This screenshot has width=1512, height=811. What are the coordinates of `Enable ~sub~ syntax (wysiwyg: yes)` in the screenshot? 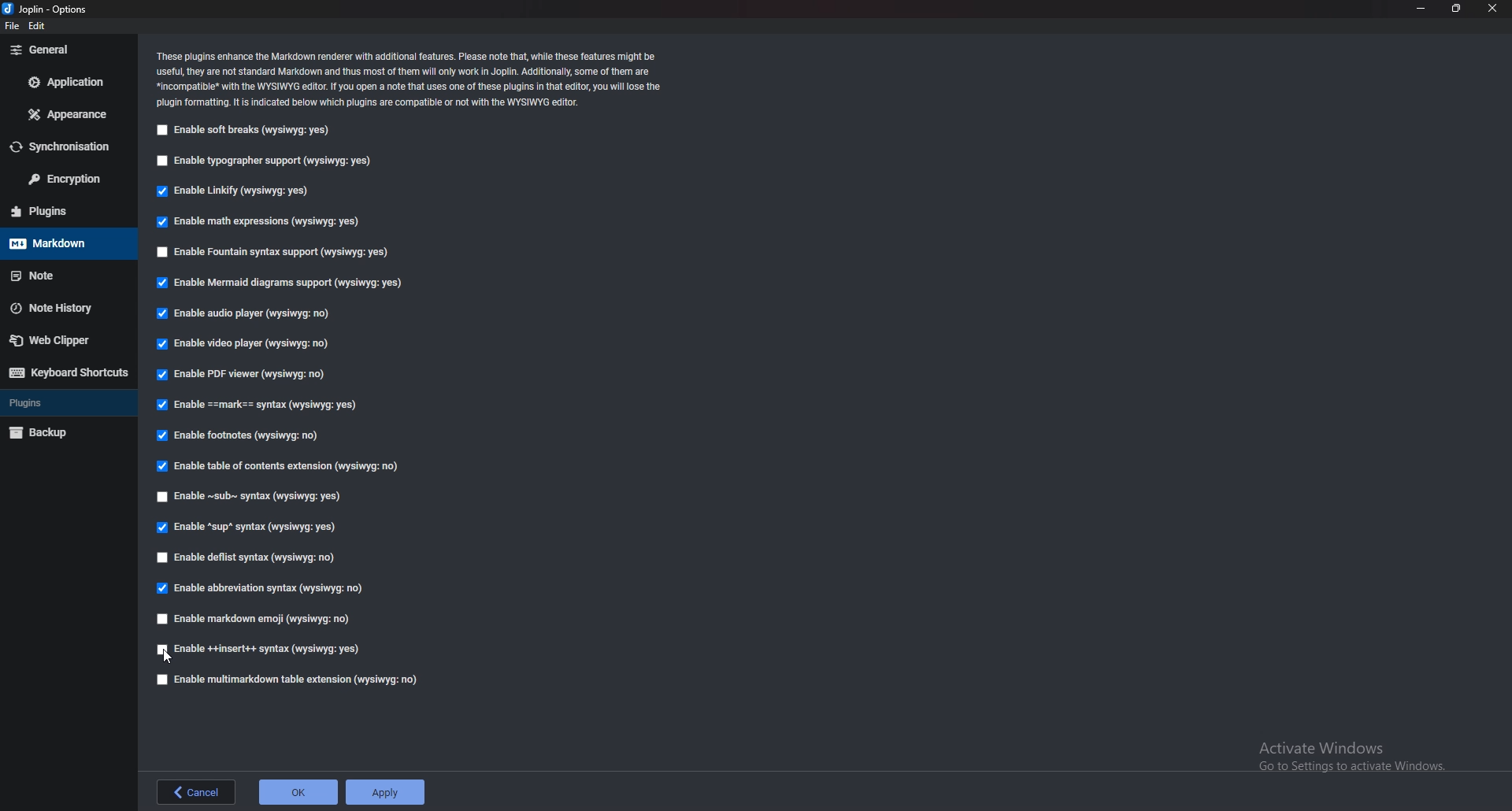 It's located at (254, 495).